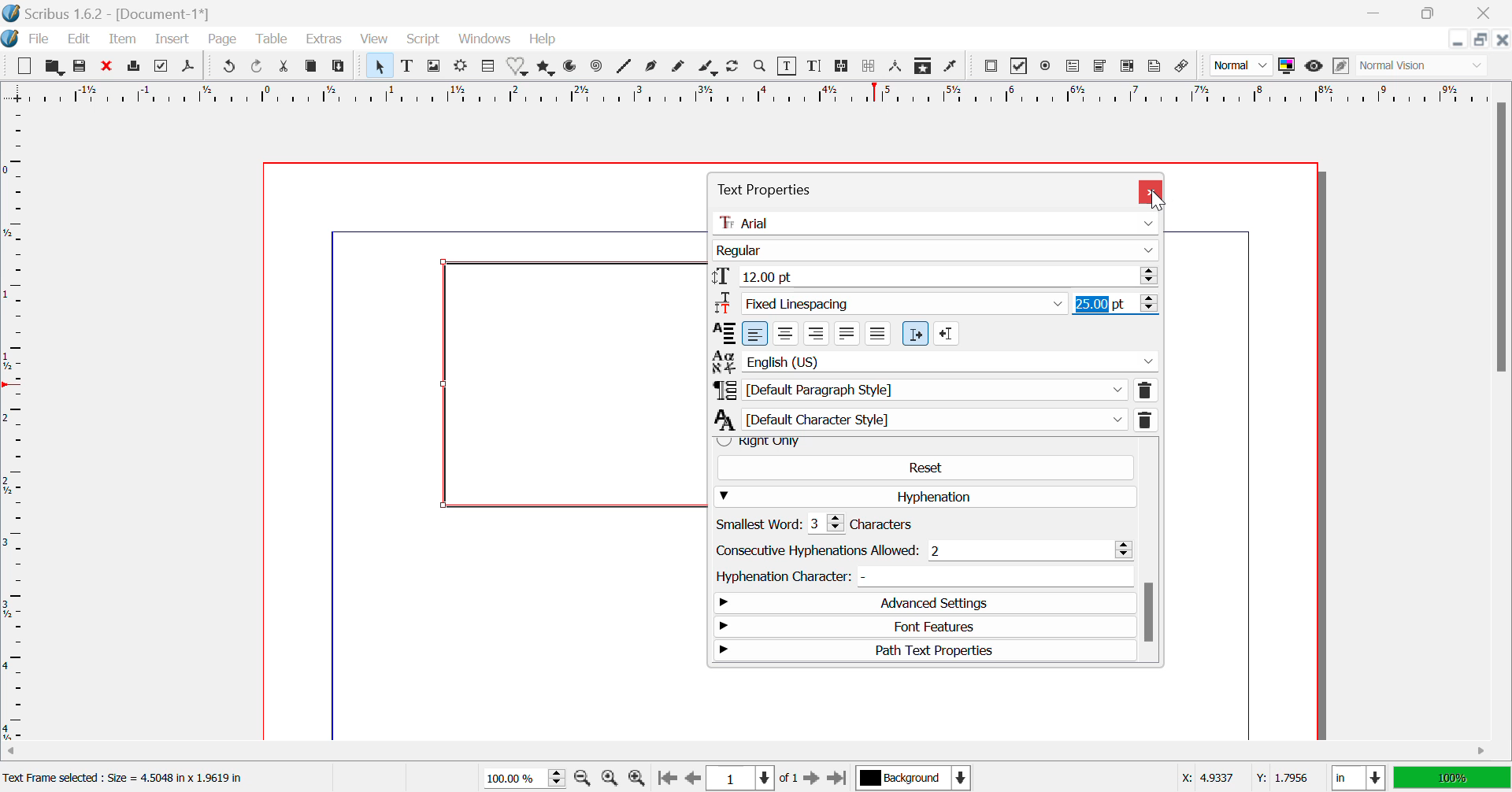 The height and width of the screenshot is (792, 1512). Describe the element at coordinates (79, 66) in the screenshot. I see `Save` at that location.